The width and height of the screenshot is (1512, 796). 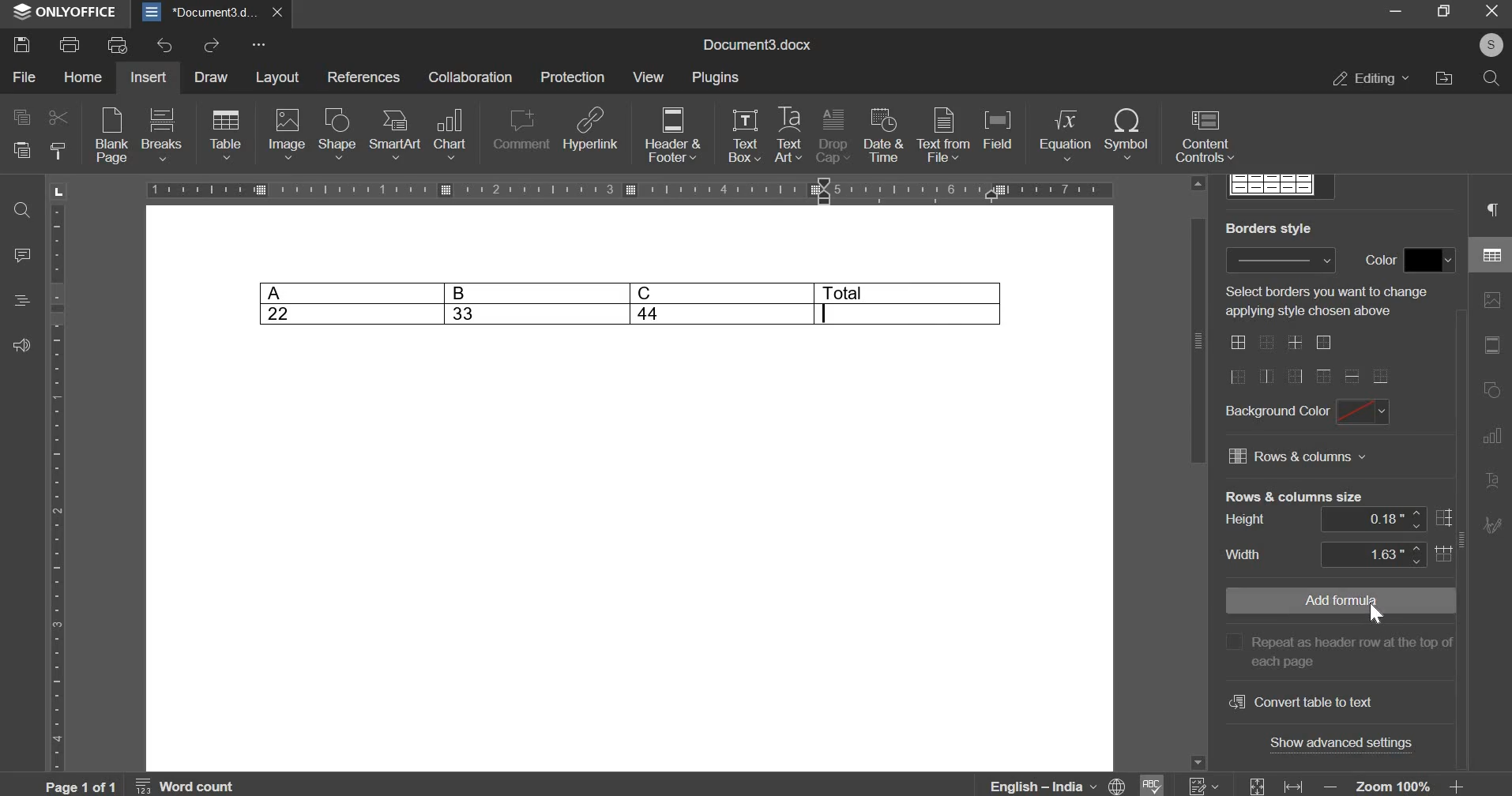 I want to click on blank page, so click(x=110, y=137).